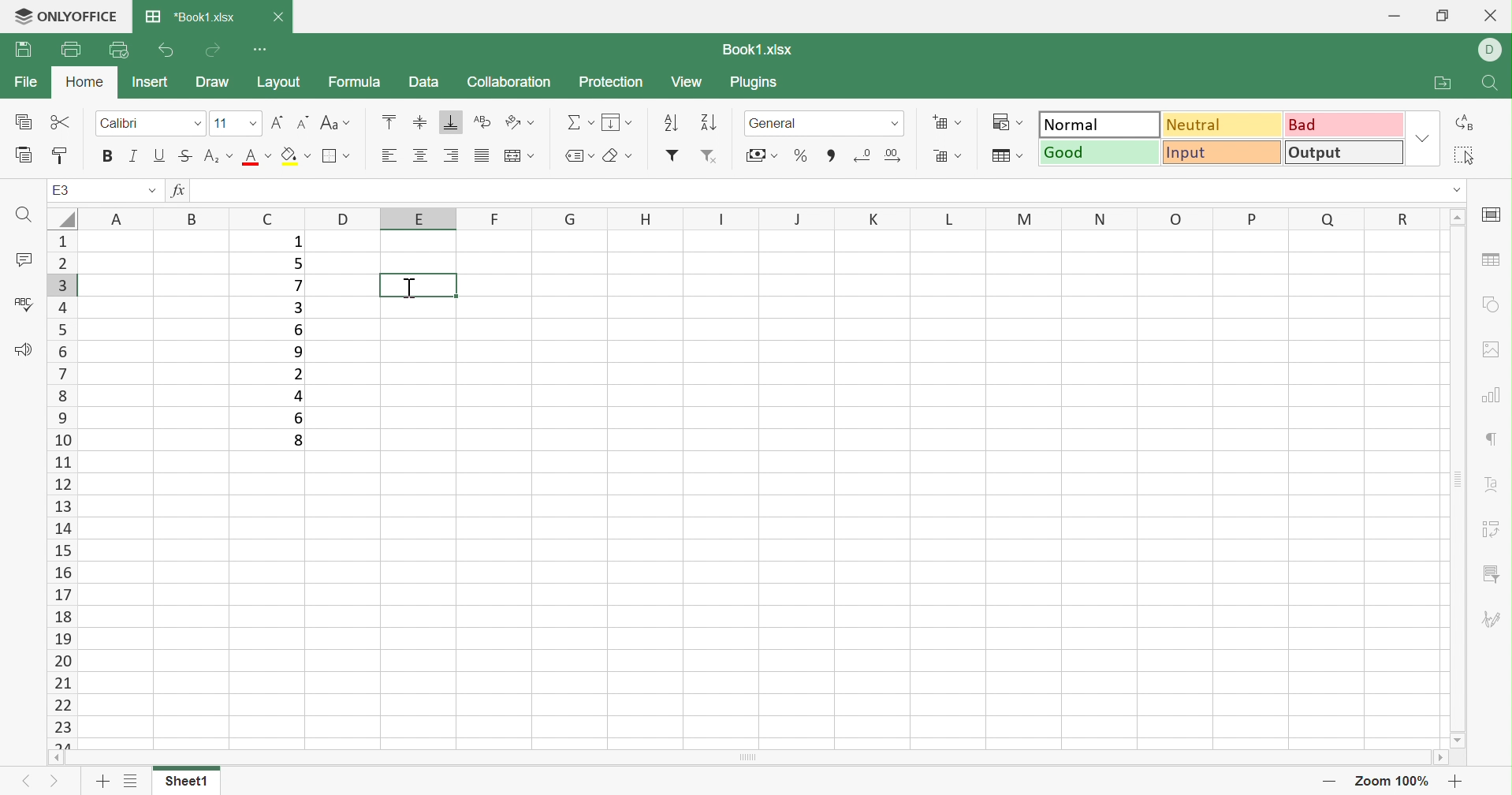 This screenshot has height=795, width=1512. Describe the element at coordinates (749, 757) in the screenshot. I see `Scroll Bar` at that location.